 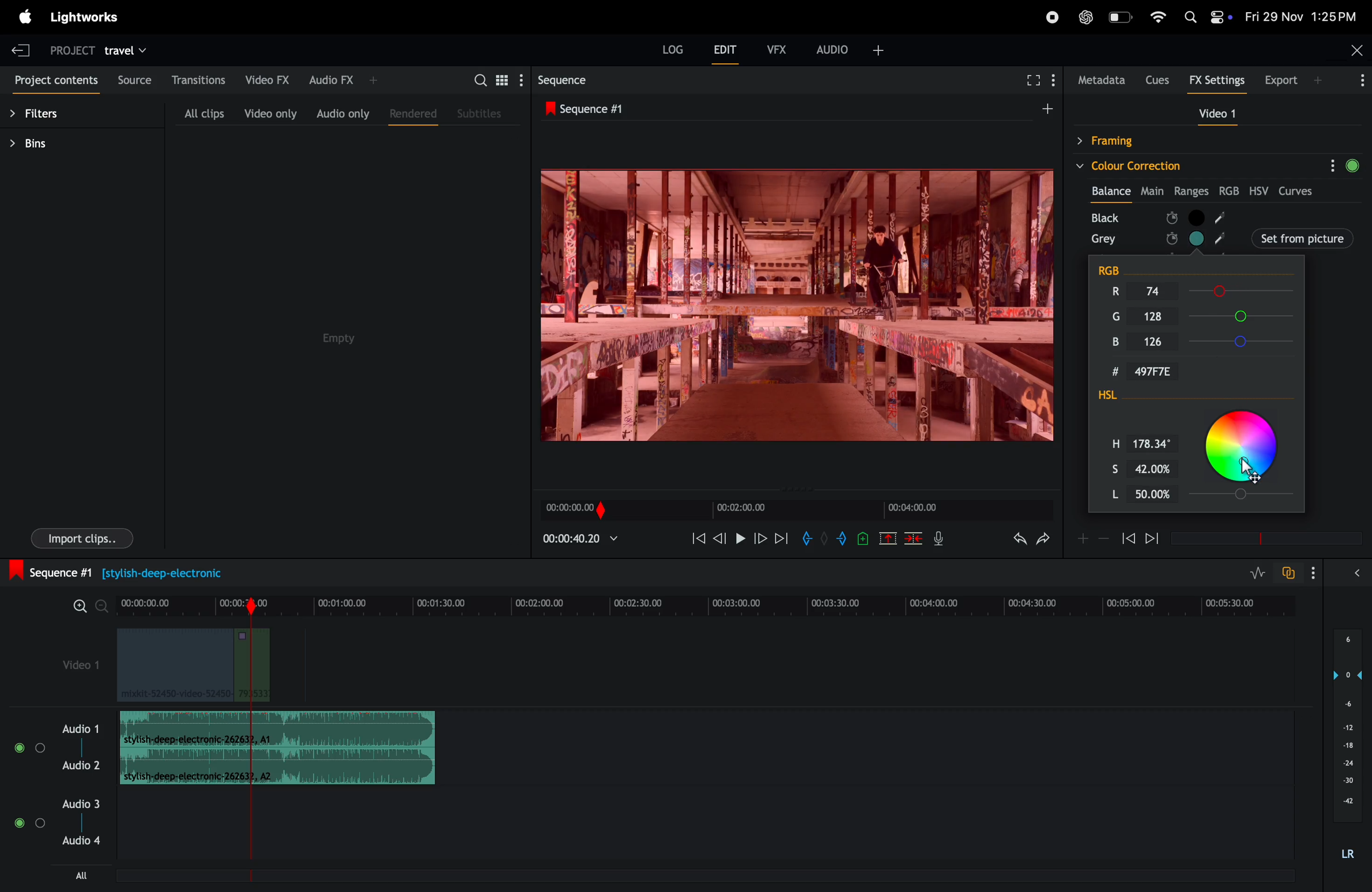 I want to click on all, so click(x=81, y=875).